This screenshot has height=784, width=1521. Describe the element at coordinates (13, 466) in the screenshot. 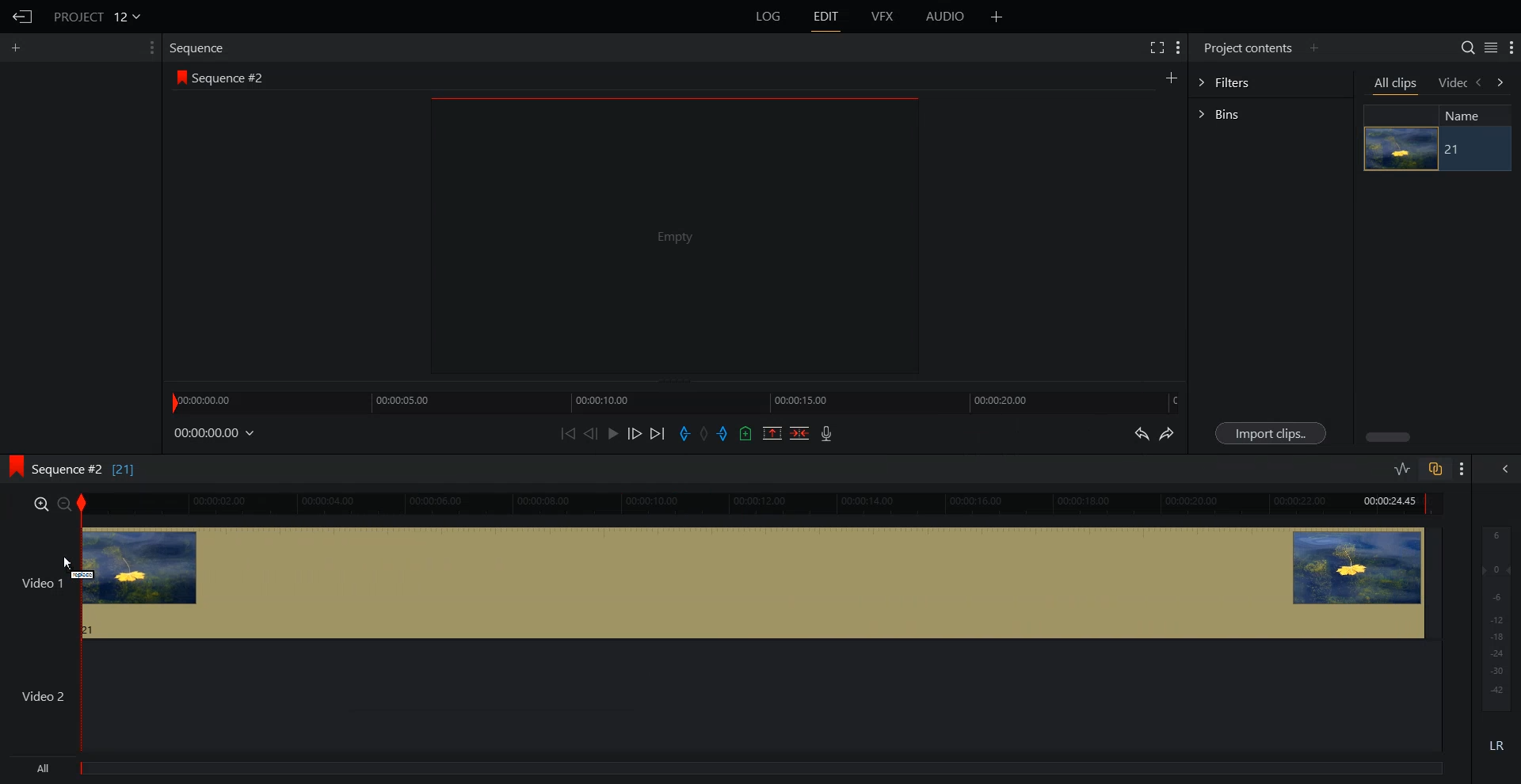

I see `logo` at that location.